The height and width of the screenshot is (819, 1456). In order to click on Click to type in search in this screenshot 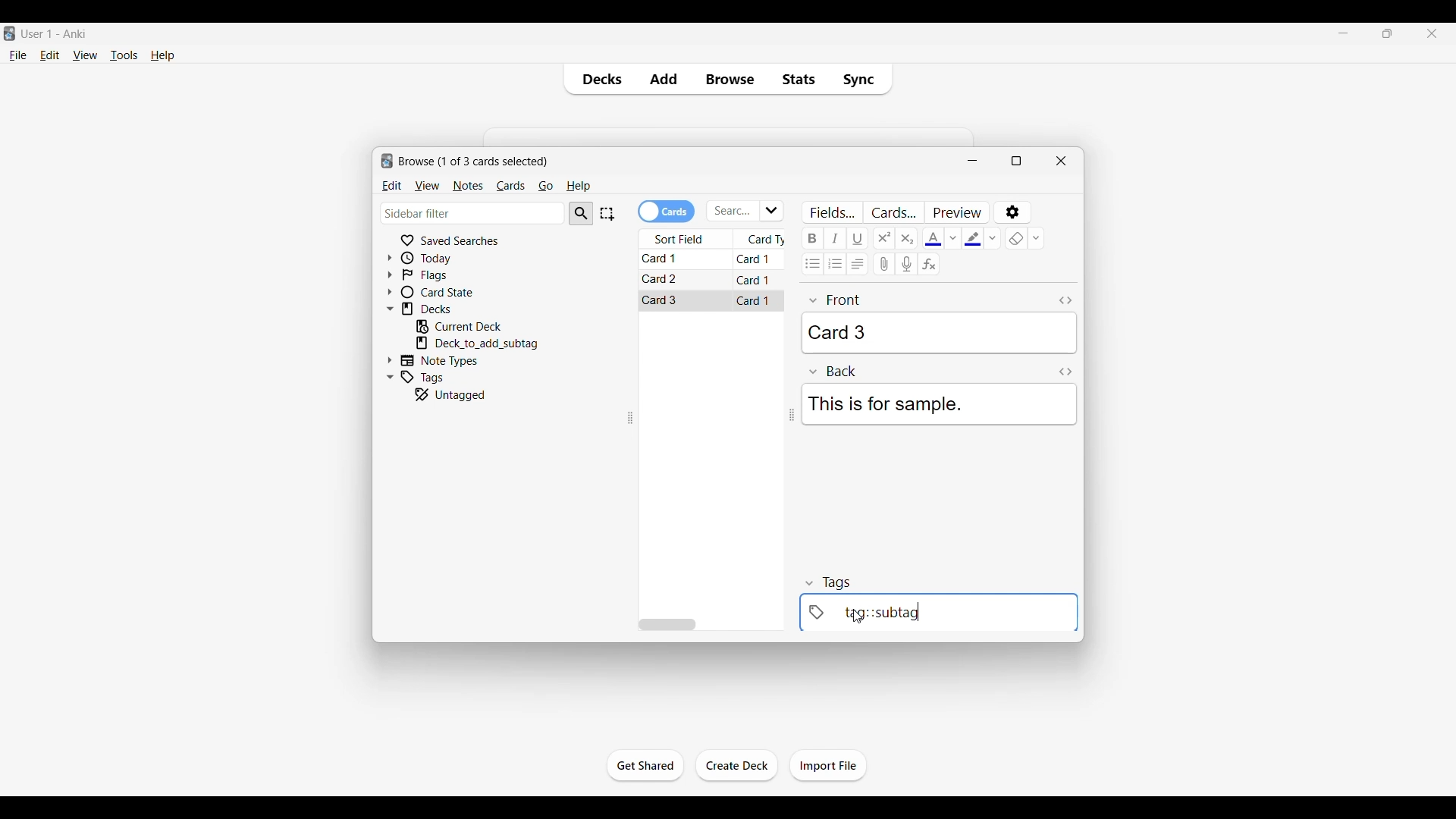, I will do `click(474, 212)`.